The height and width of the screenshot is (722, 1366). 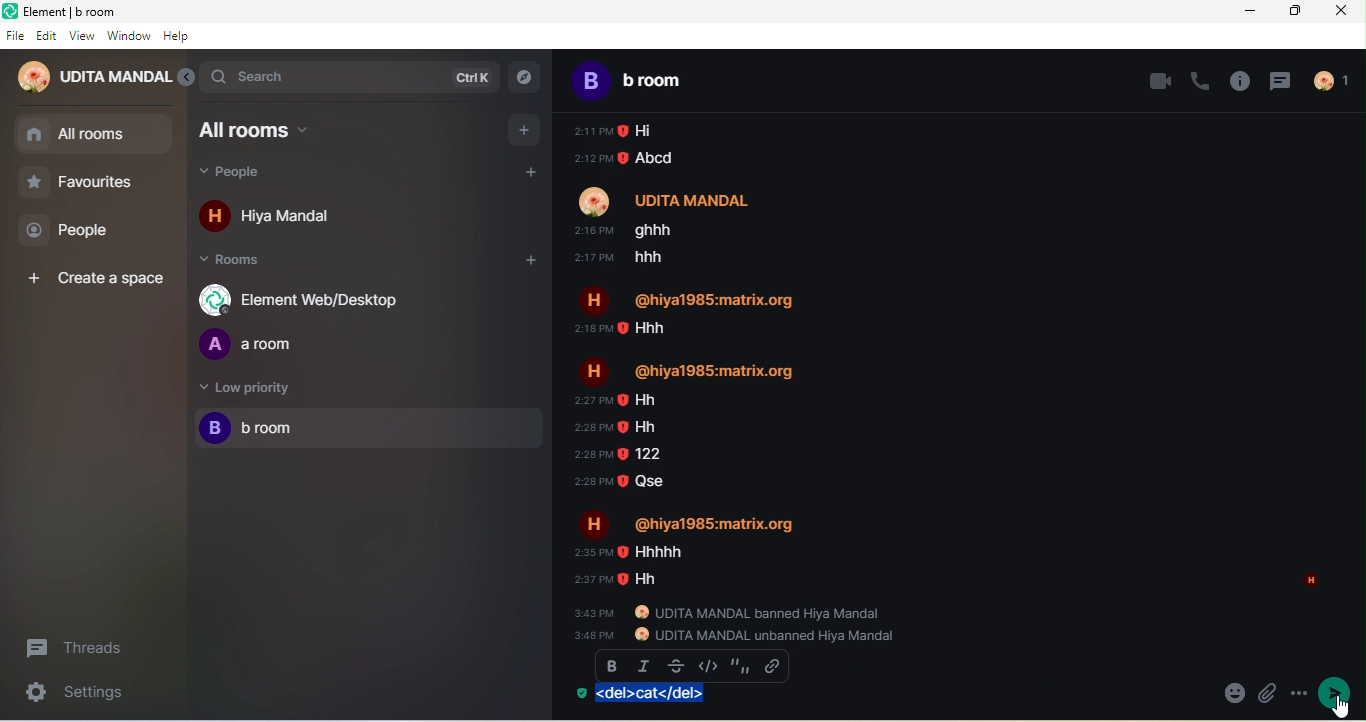 I want to click on element web, so click(x=308, y=299).